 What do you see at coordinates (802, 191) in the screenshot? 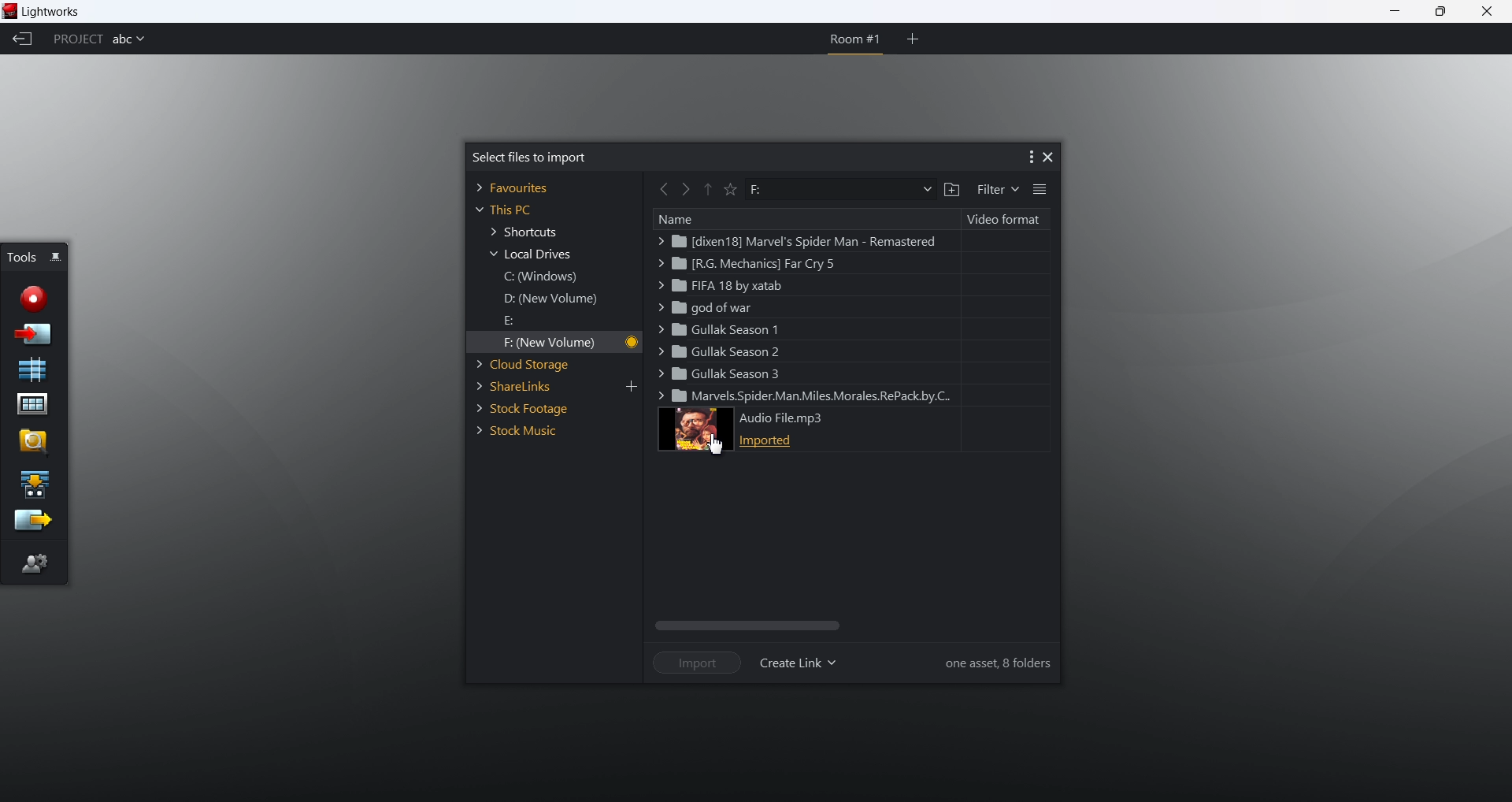
I see `path` at bounding box center [802, 191].